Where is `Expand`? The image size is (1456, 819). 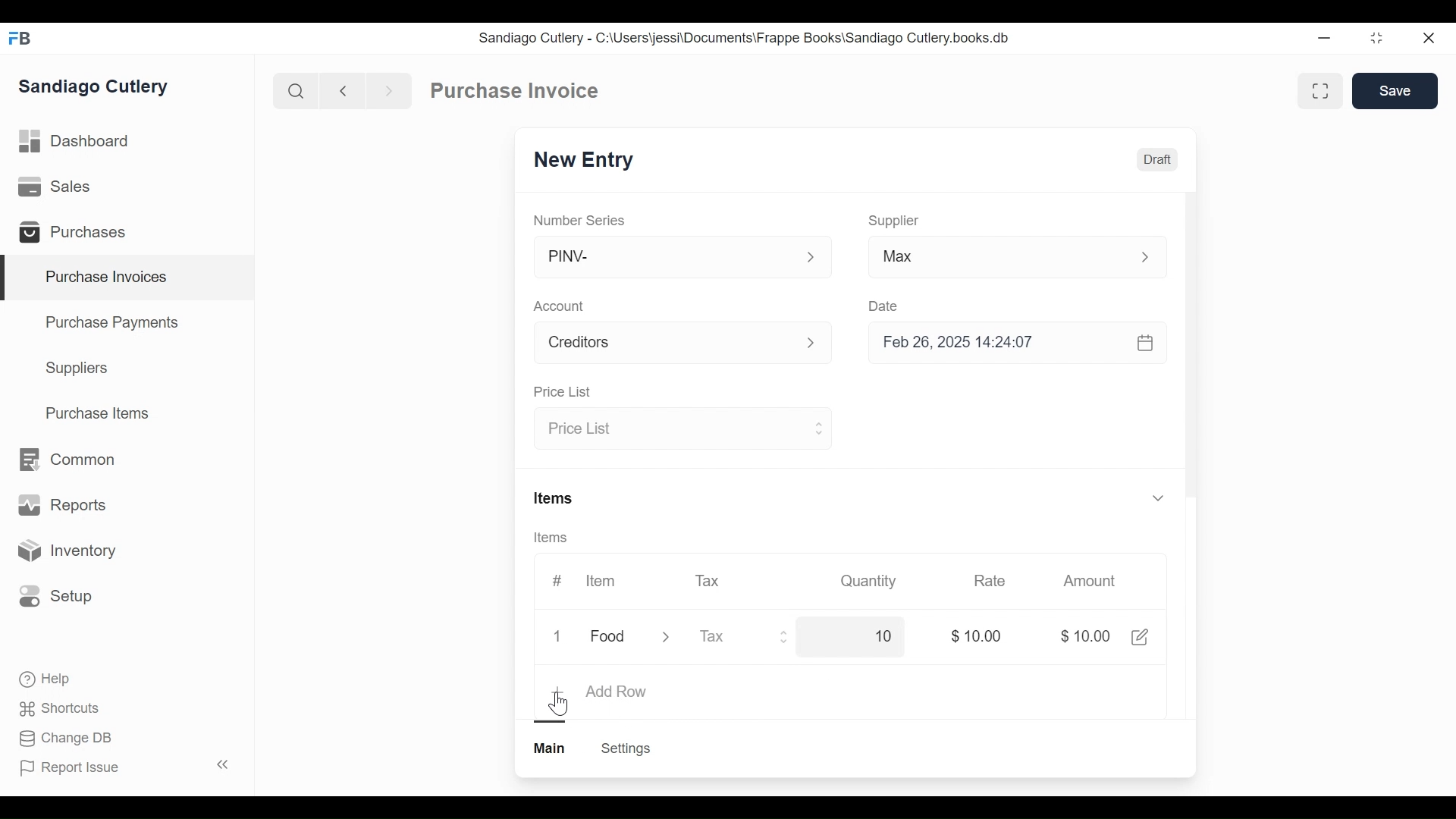
Expand is located at coordinates (820, 344).